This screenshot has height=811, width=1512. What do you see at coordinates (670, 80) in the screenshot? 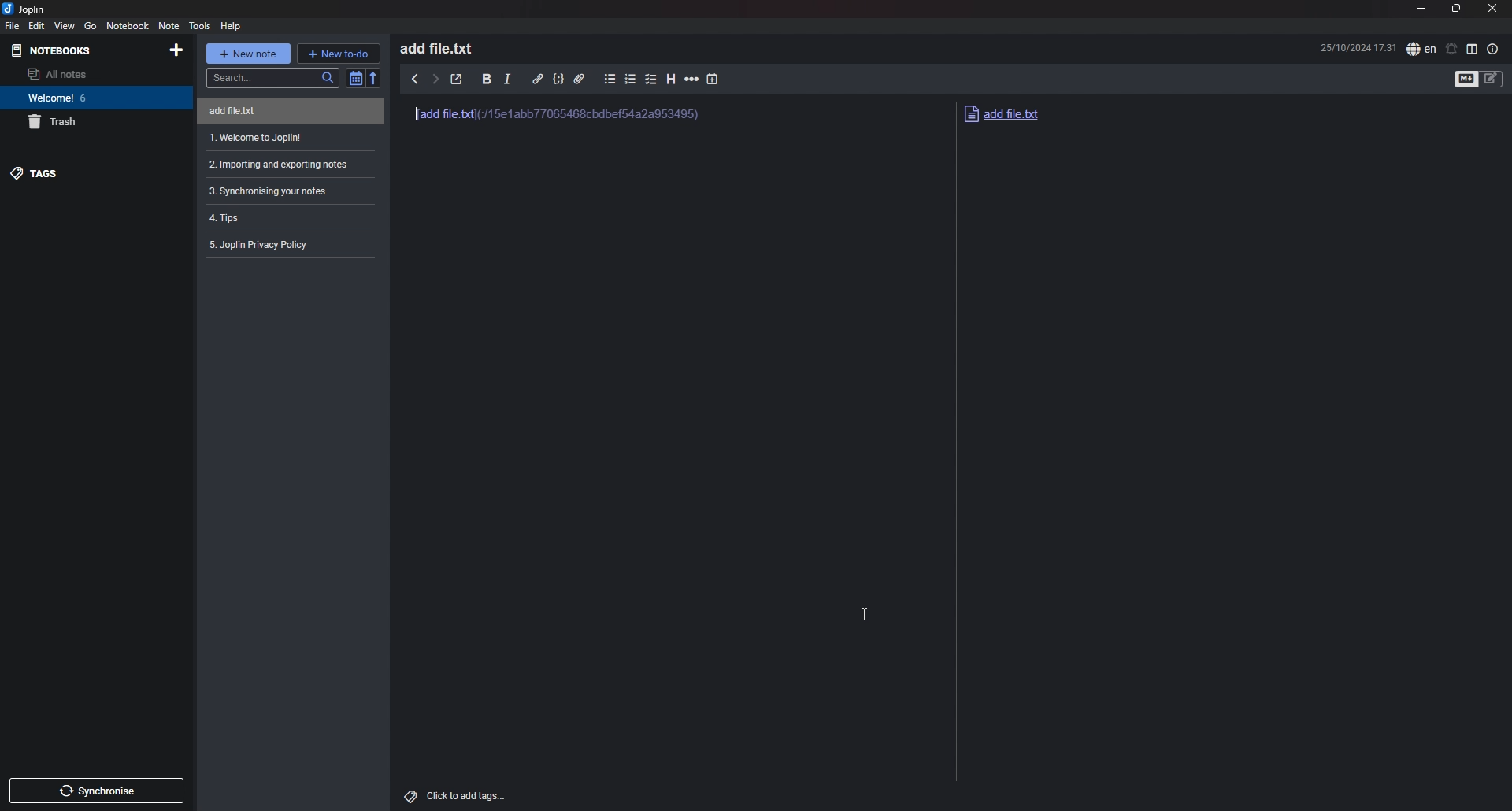
I see `heading` at bounding box center [670, 80].